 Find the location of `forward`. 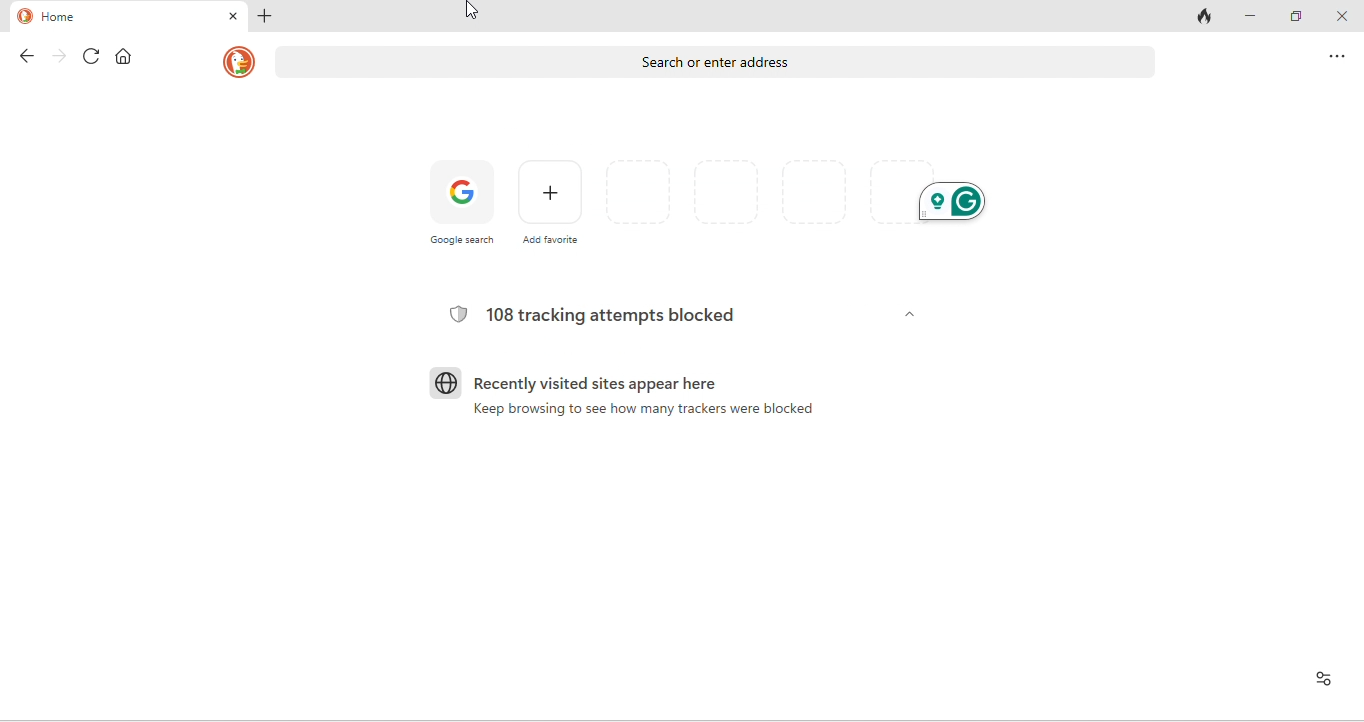

forward is located at coordinates (52, 57).